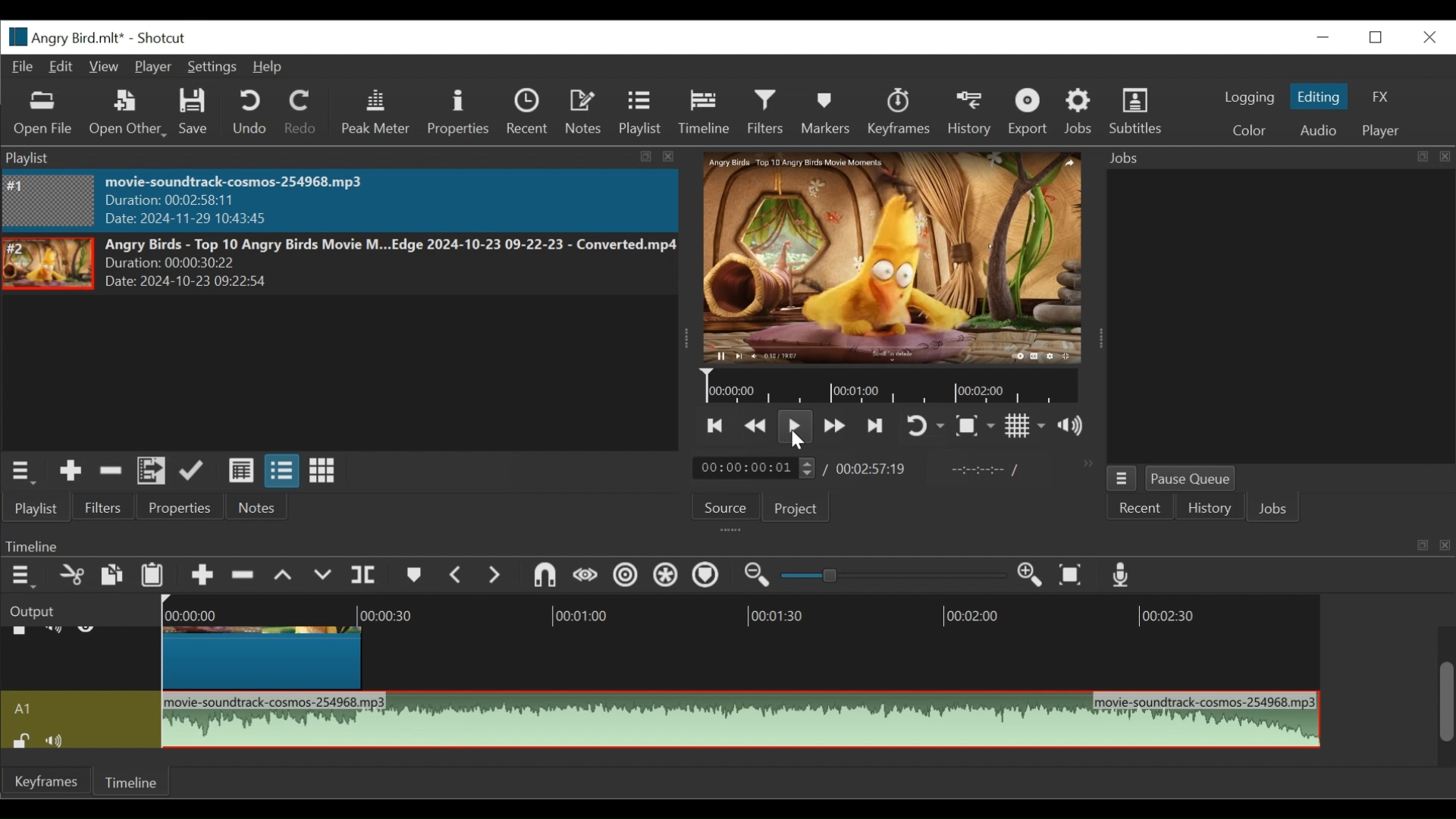 This screenshot has height=819, width=1456. Describe the element at coordinates (767, 114) in the screenshot. I see `Filters` at that location.